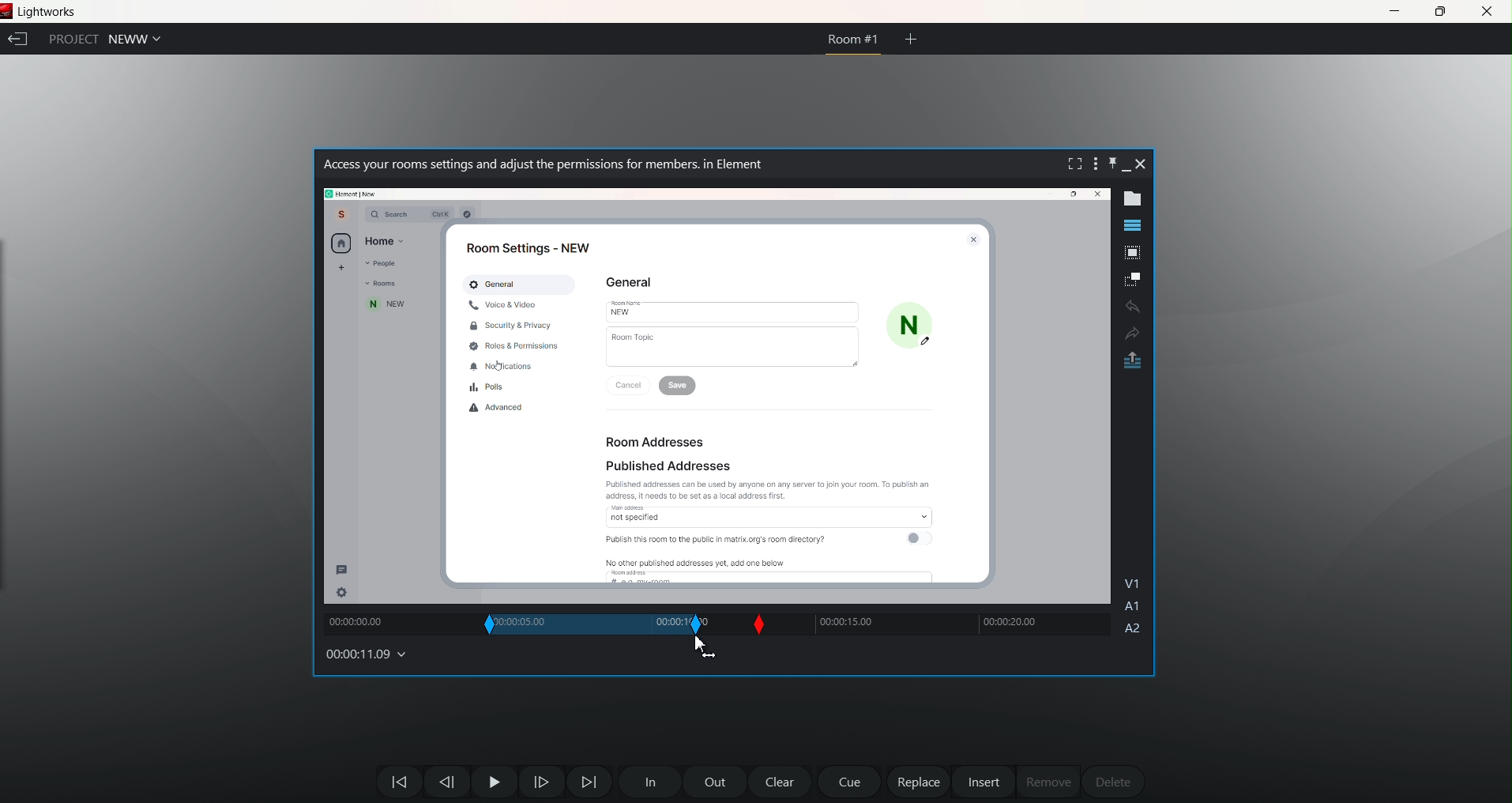 This screenshot has width=1512, height=803. What do you see at coordinates (1136, 581) in the screenshot?
I see `V1` at bounding box center [1136, 581].